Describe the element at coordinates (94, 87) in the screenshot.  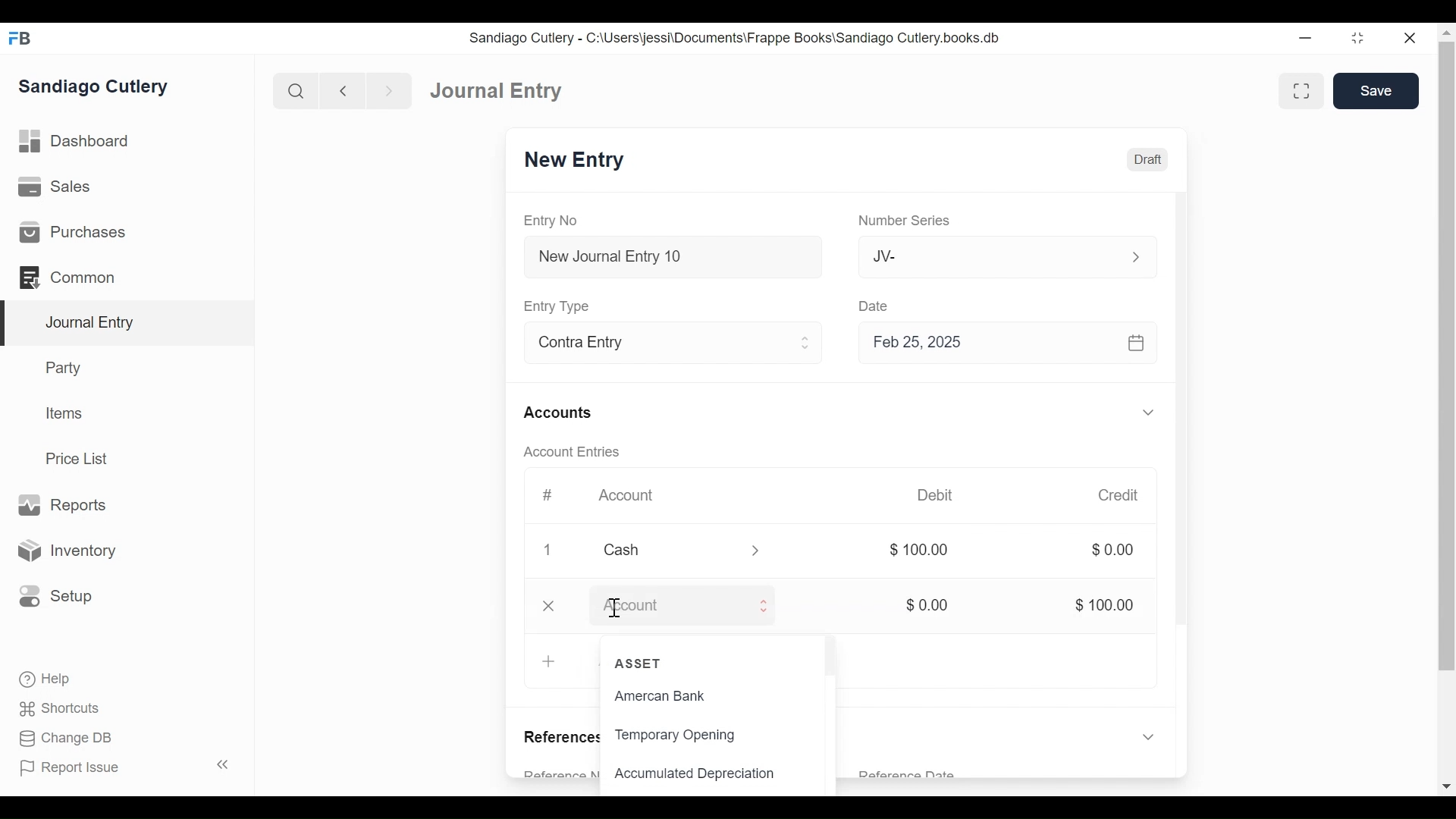
I see `Sandiago Cutlery` at that location.